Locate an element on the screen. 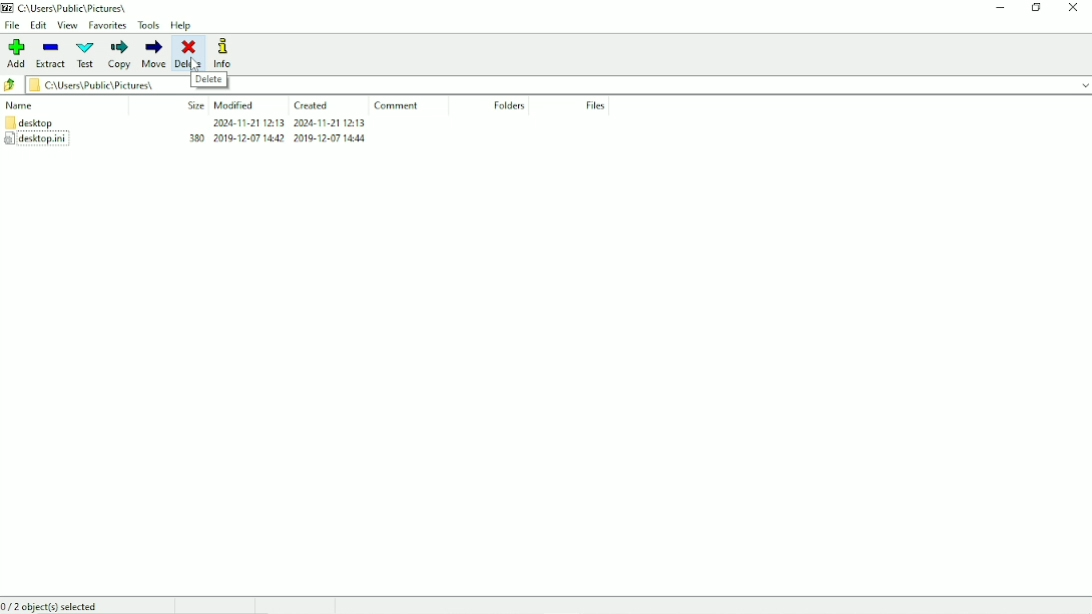  Move is located at coordinates (153, 54).